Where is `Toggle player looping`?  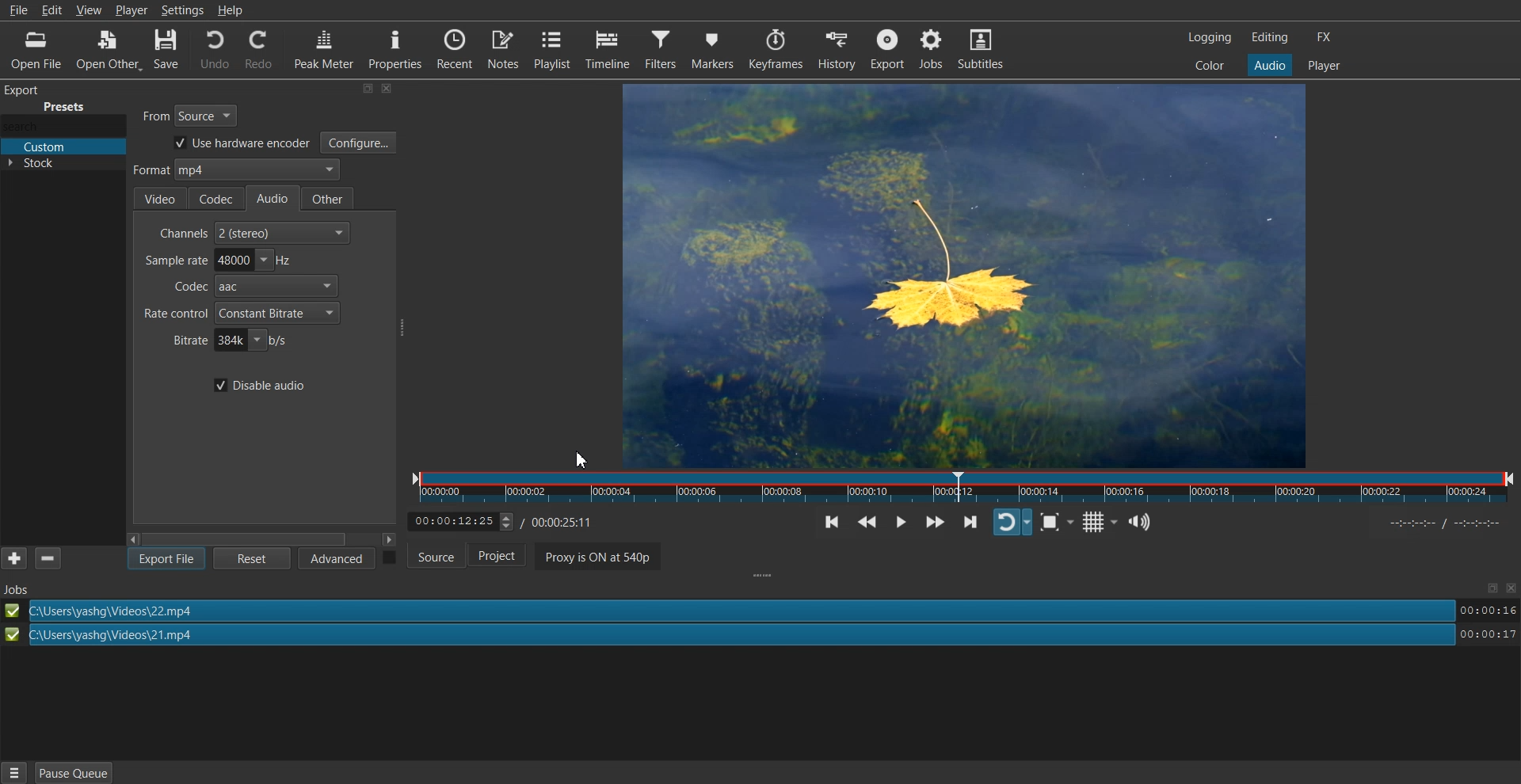 Toggle player looping is located at coordinates (1009, 521).